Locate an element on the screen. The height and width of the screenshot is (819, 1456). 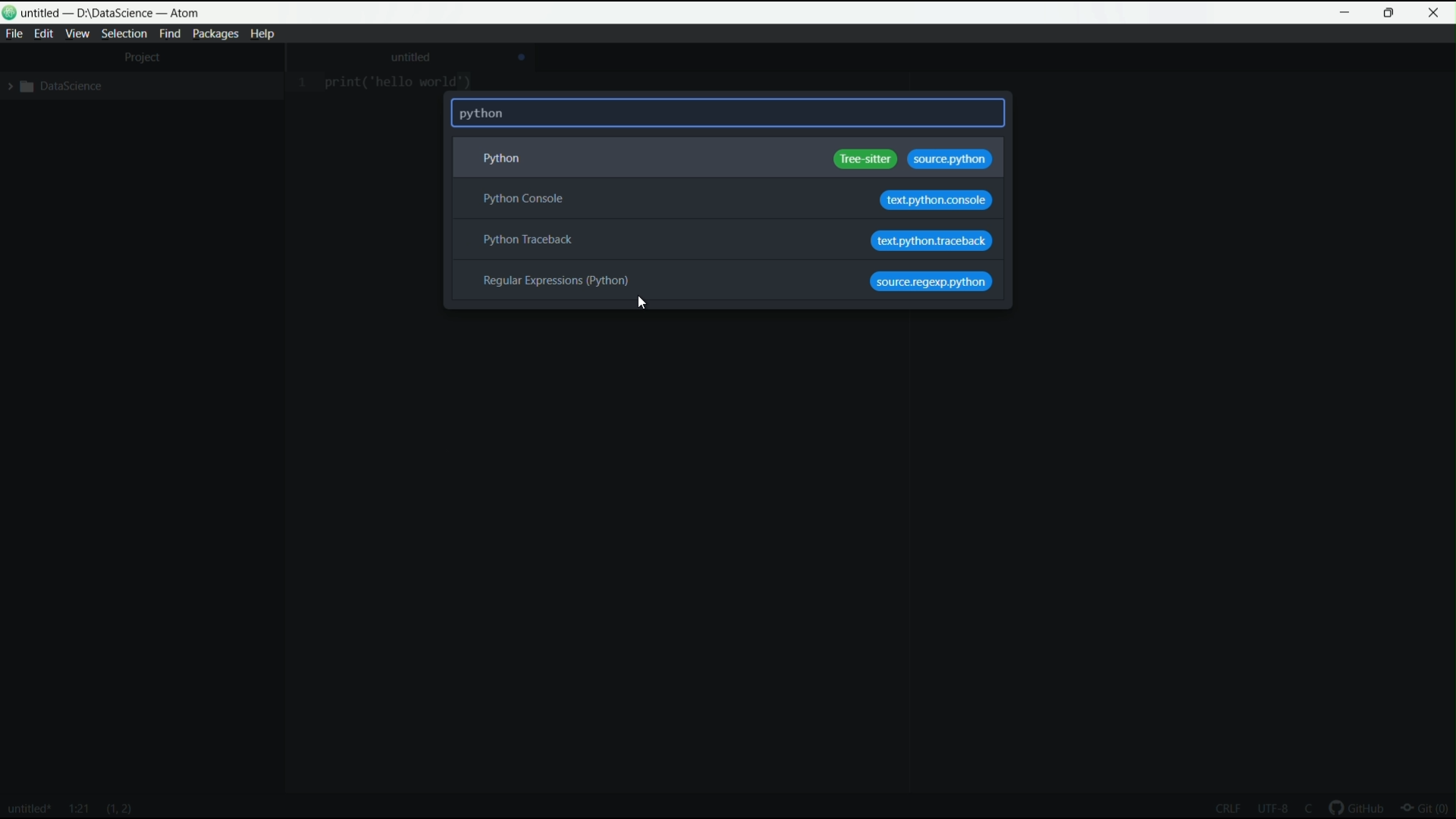
python console is located at coordinates (525, 199).